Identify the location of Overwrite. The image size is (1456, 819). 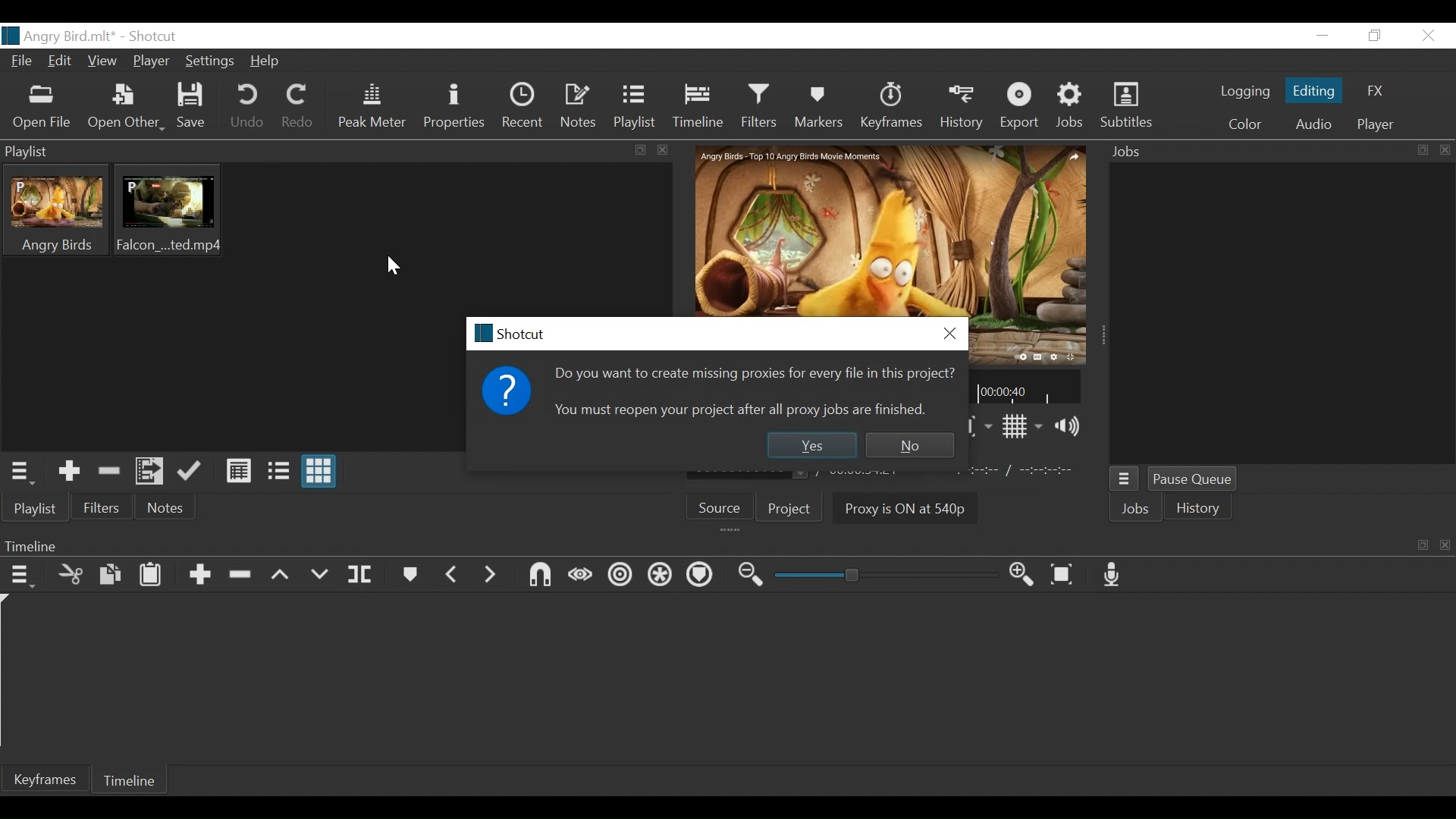
(321, 576).